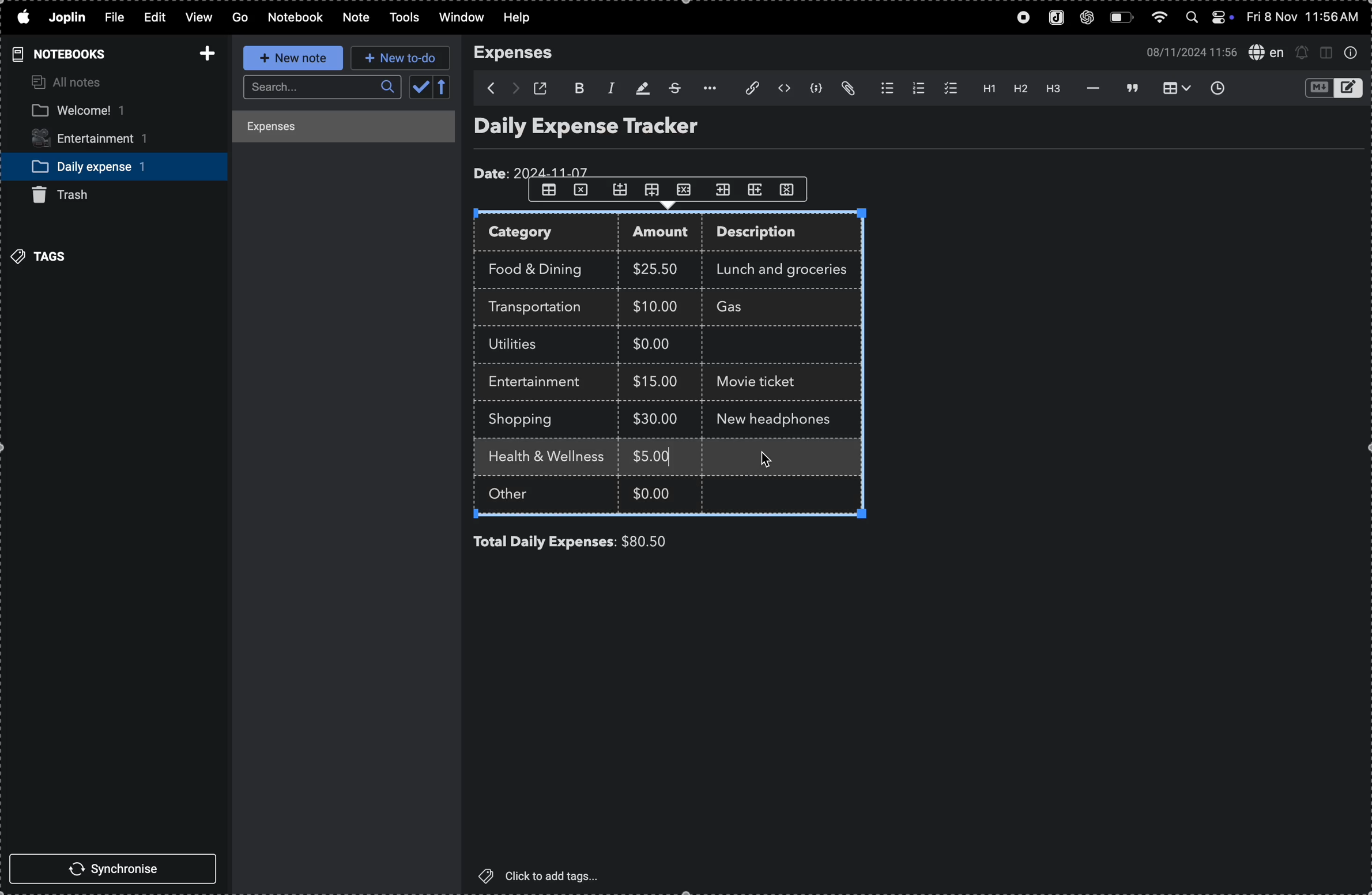 Image resolution: width=1372 pixels, height=895 pixels. What do you see at coordinates (817, 90) in the screenshot?
I see `code` at bounding box center [817, 90].